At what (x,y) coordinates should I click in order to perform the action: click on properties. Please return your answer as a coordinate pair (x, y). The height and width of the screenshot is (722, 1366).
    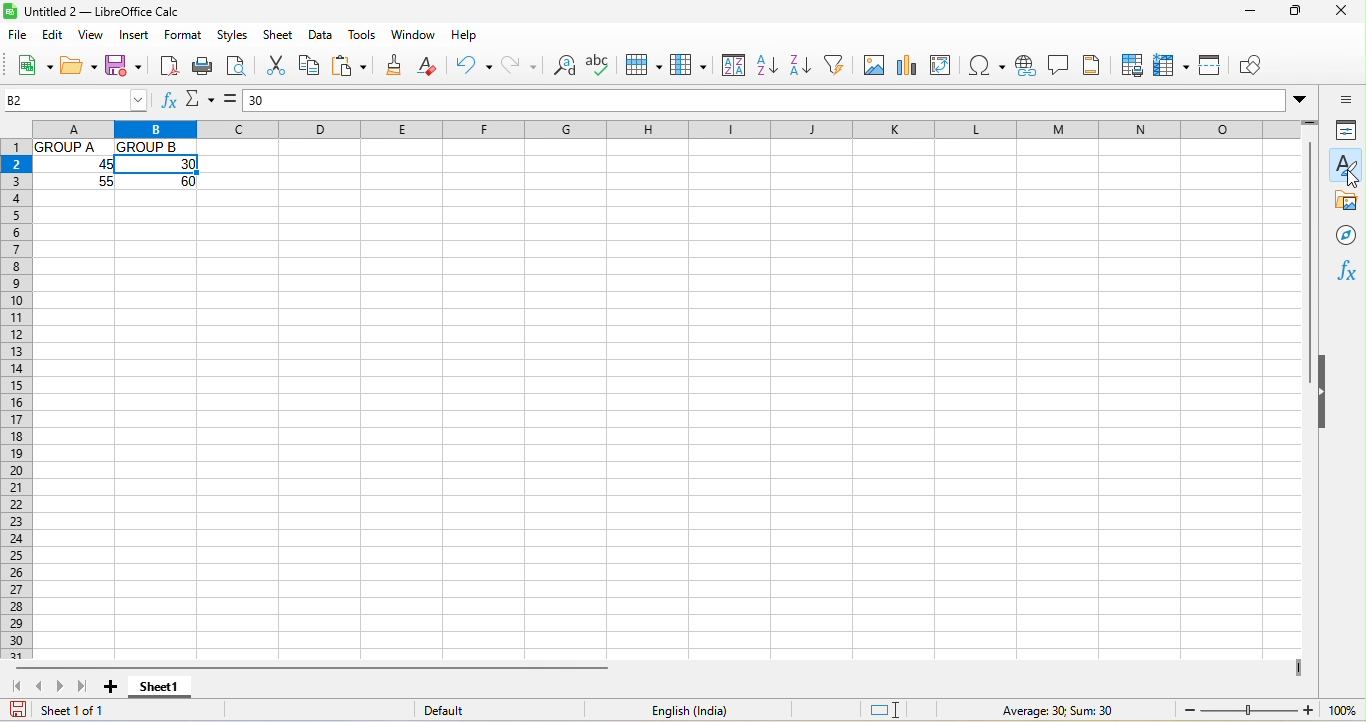
    Looking at the image, I should click on (1345, 130).